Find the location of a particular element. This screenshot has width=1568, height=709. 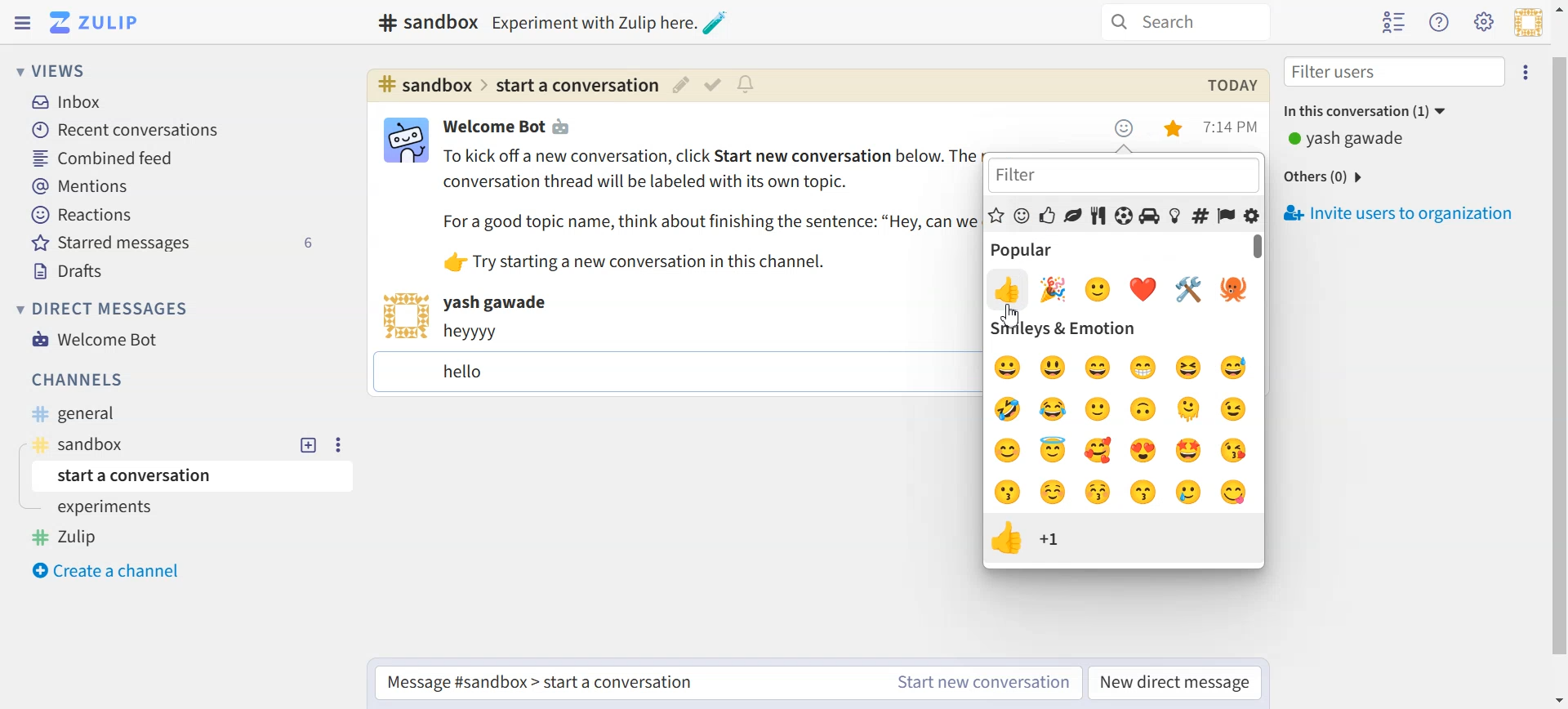

big smile is located at coordinates (1101, 370).